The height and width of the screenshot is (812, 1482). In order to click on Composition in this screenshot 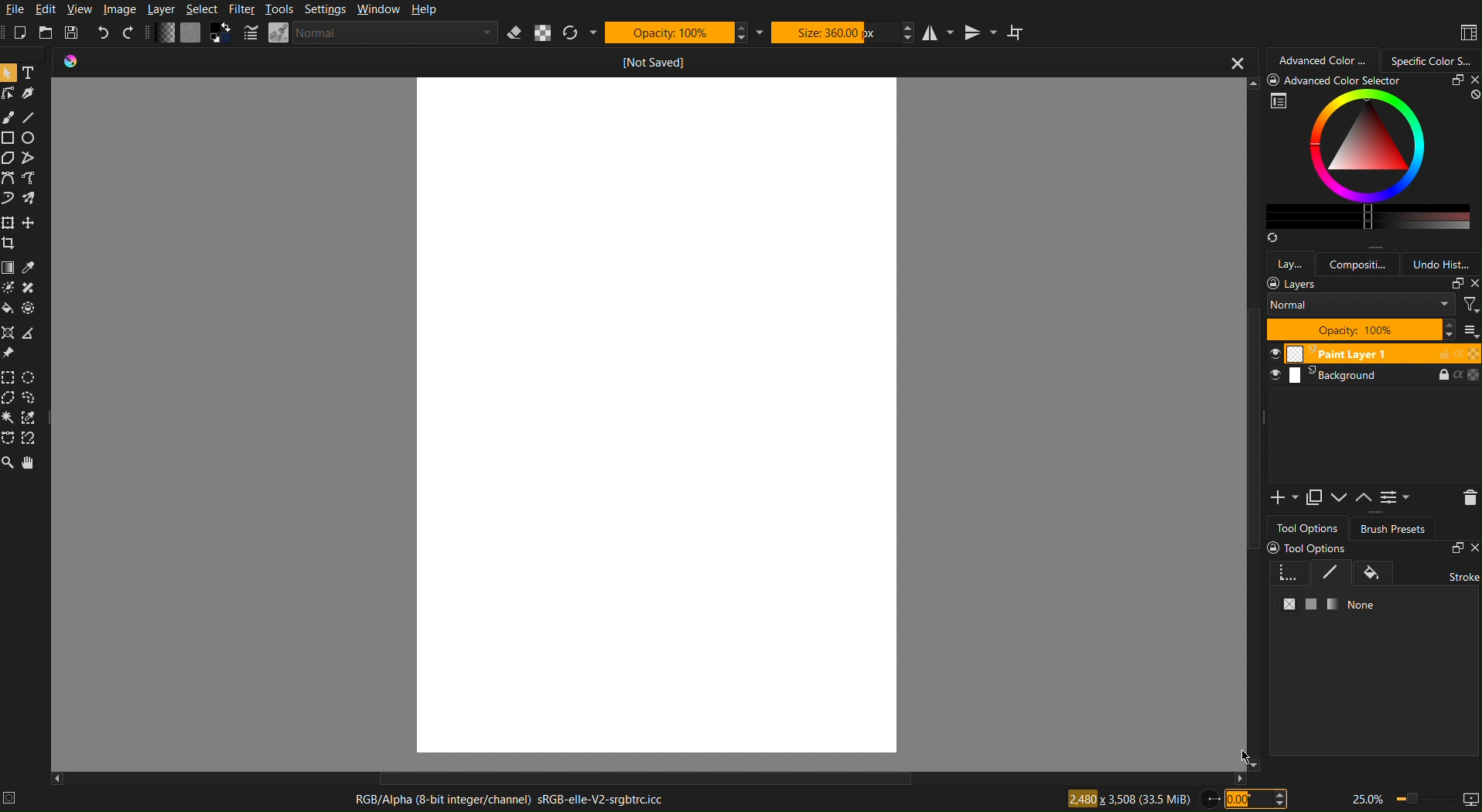, I will do `click(1358, 262)`.